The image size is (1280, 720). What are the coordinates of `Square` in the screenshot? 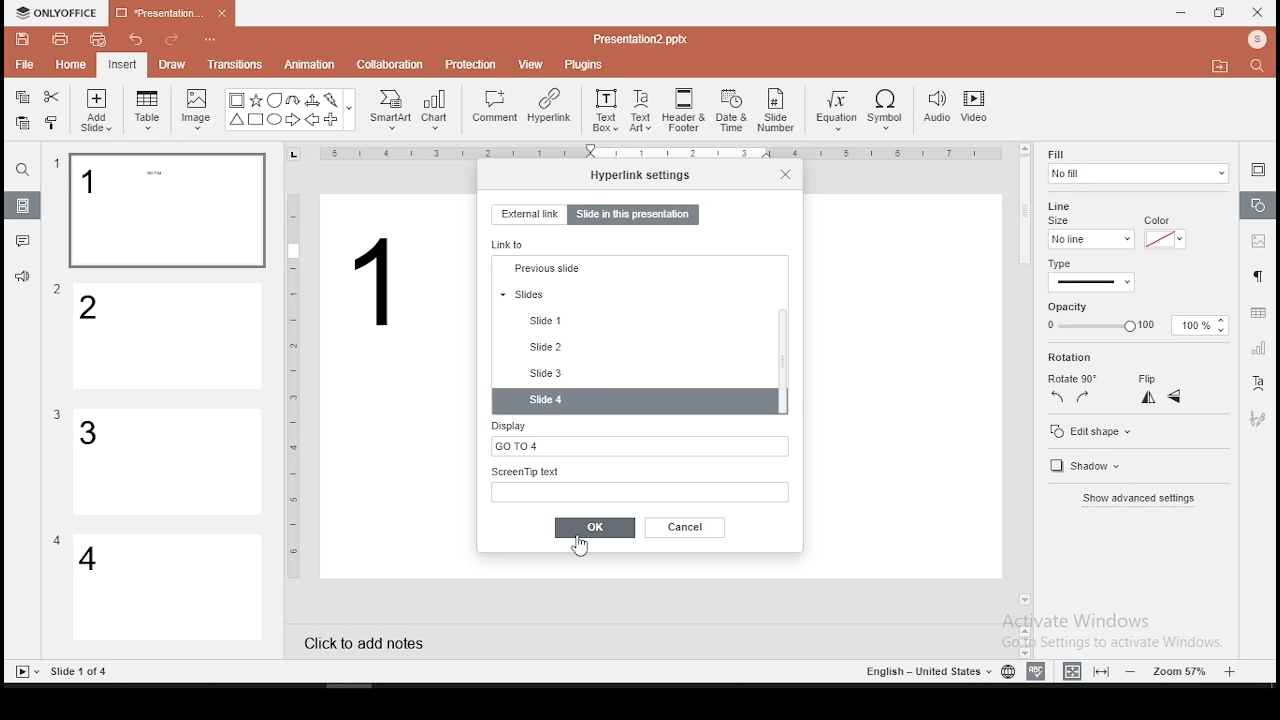 It's located at (255, 121).